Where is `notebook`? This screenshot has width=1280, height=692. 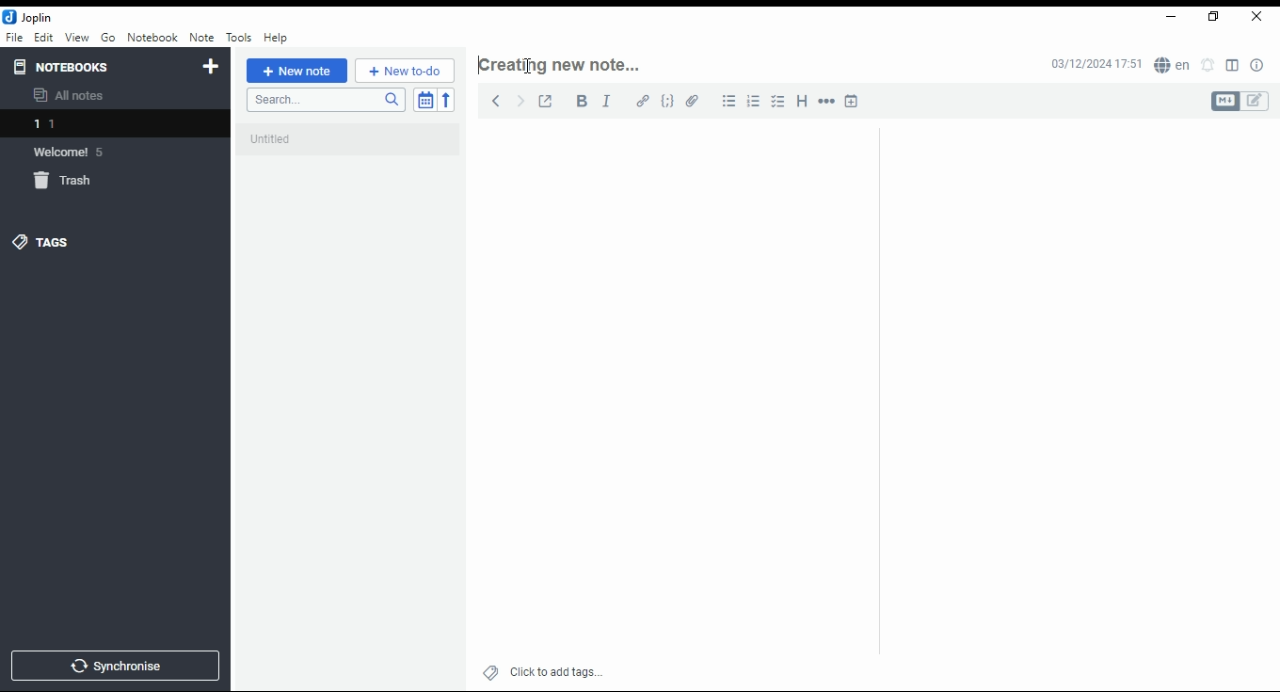
notebook is located at coordinates (152, 37).